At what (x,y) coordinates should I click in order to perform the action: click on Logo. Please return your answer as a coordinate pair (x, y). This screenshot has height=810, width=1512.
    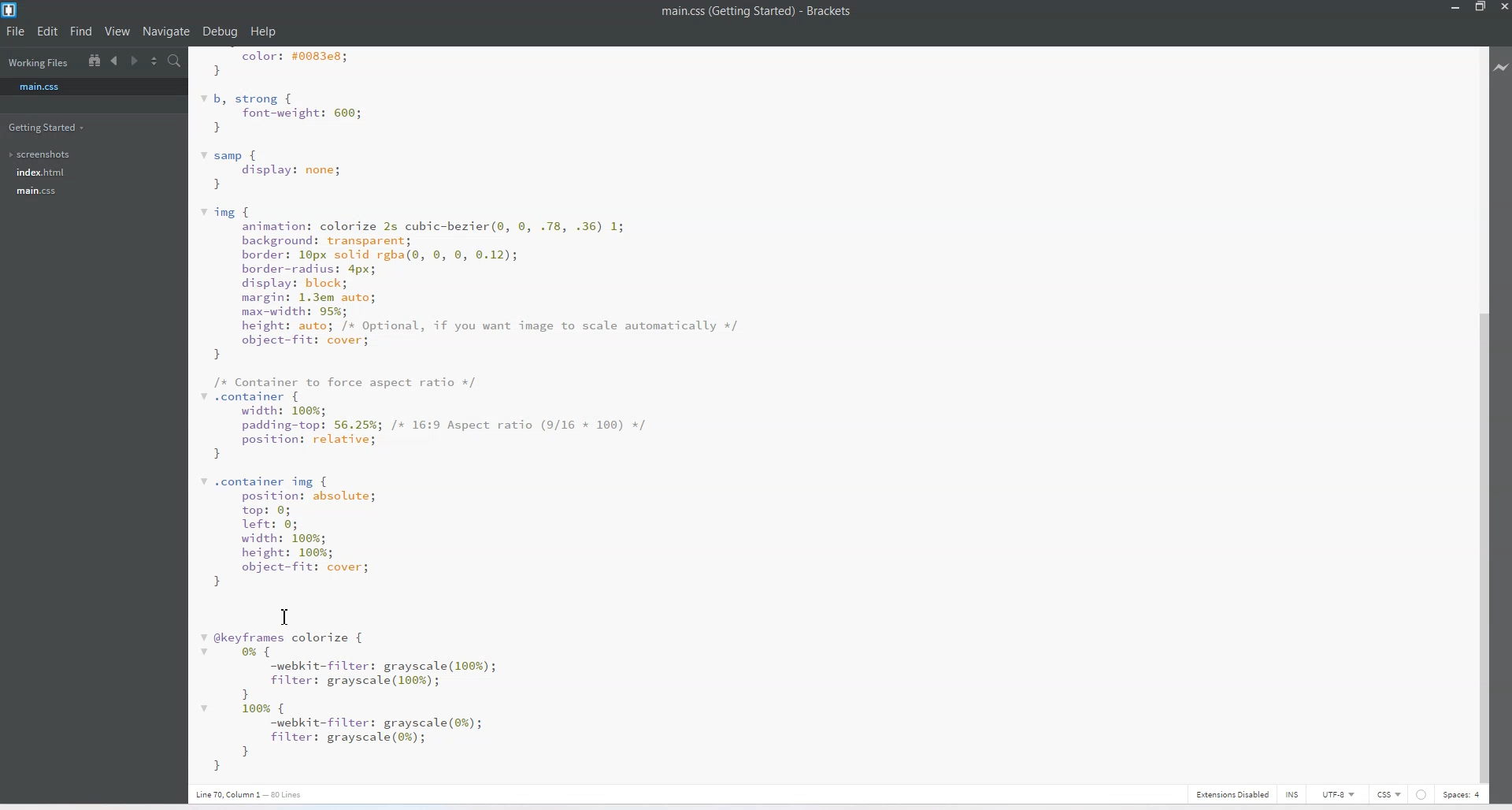
    Looking at the image, I should click on (11, 10).